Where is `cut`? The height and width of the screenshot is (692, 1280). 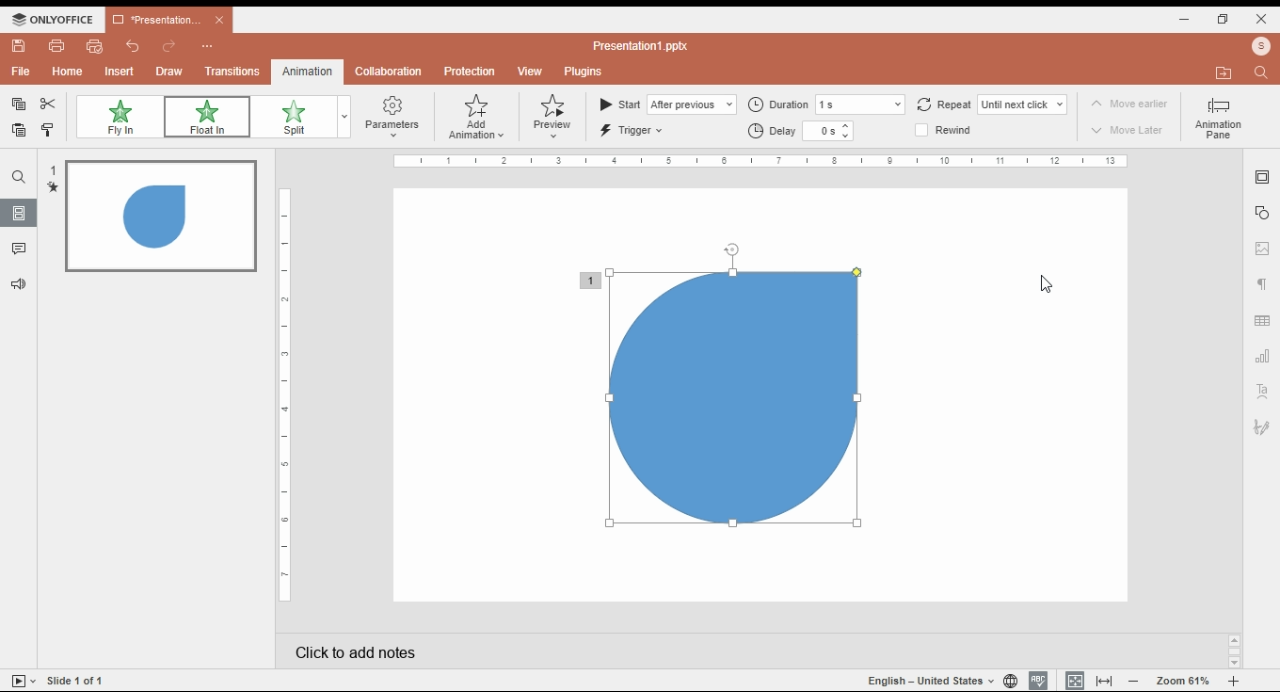 cut is located at coordinates (50, 104).